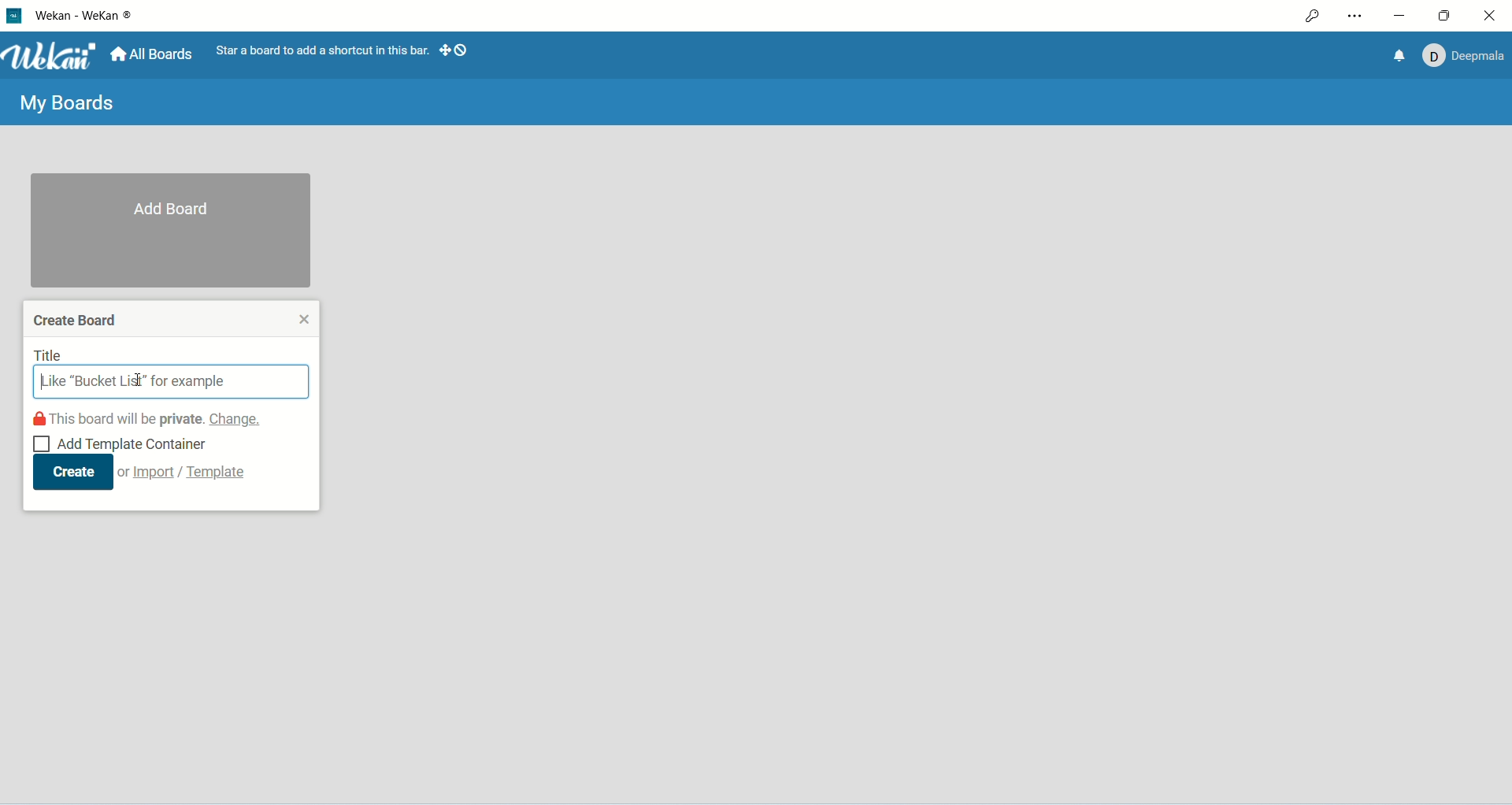 This screenshot has height=805, width=1512. I want to click on title, so click(55, 356).